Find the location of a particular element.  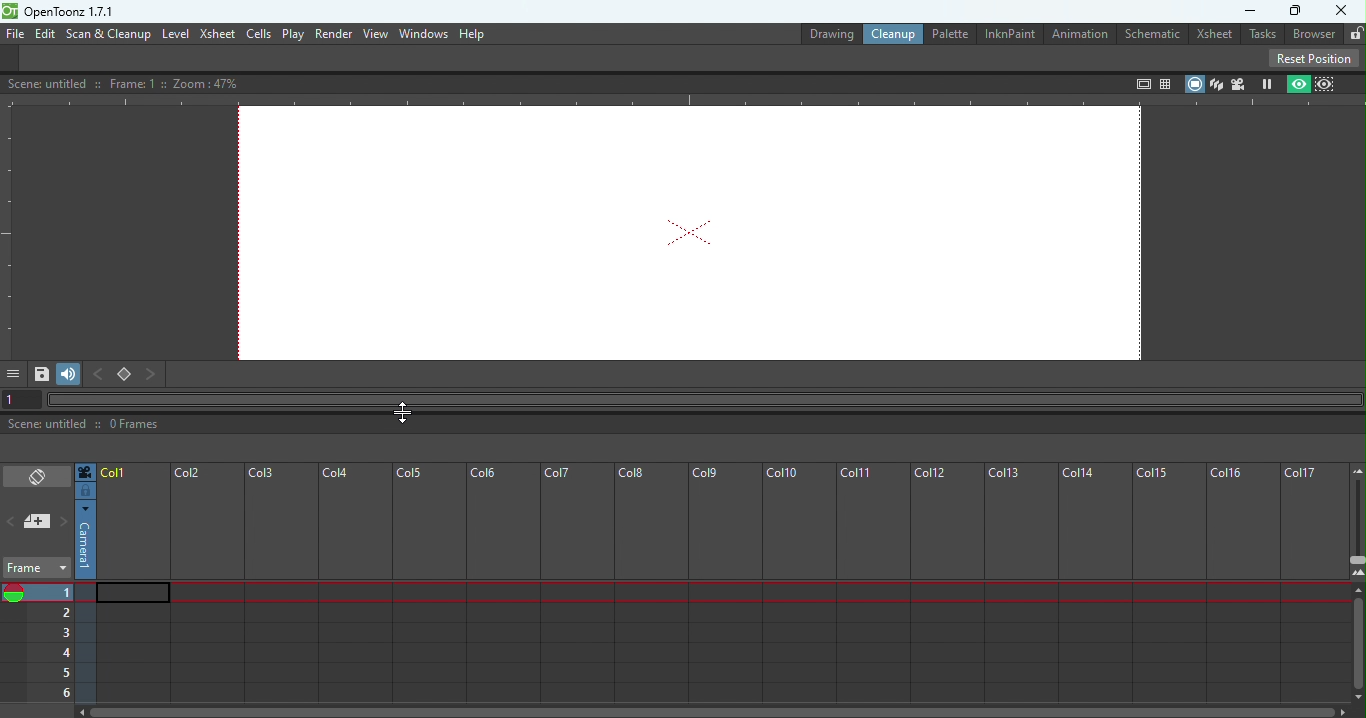

Render is located at coordinates (331, 33).